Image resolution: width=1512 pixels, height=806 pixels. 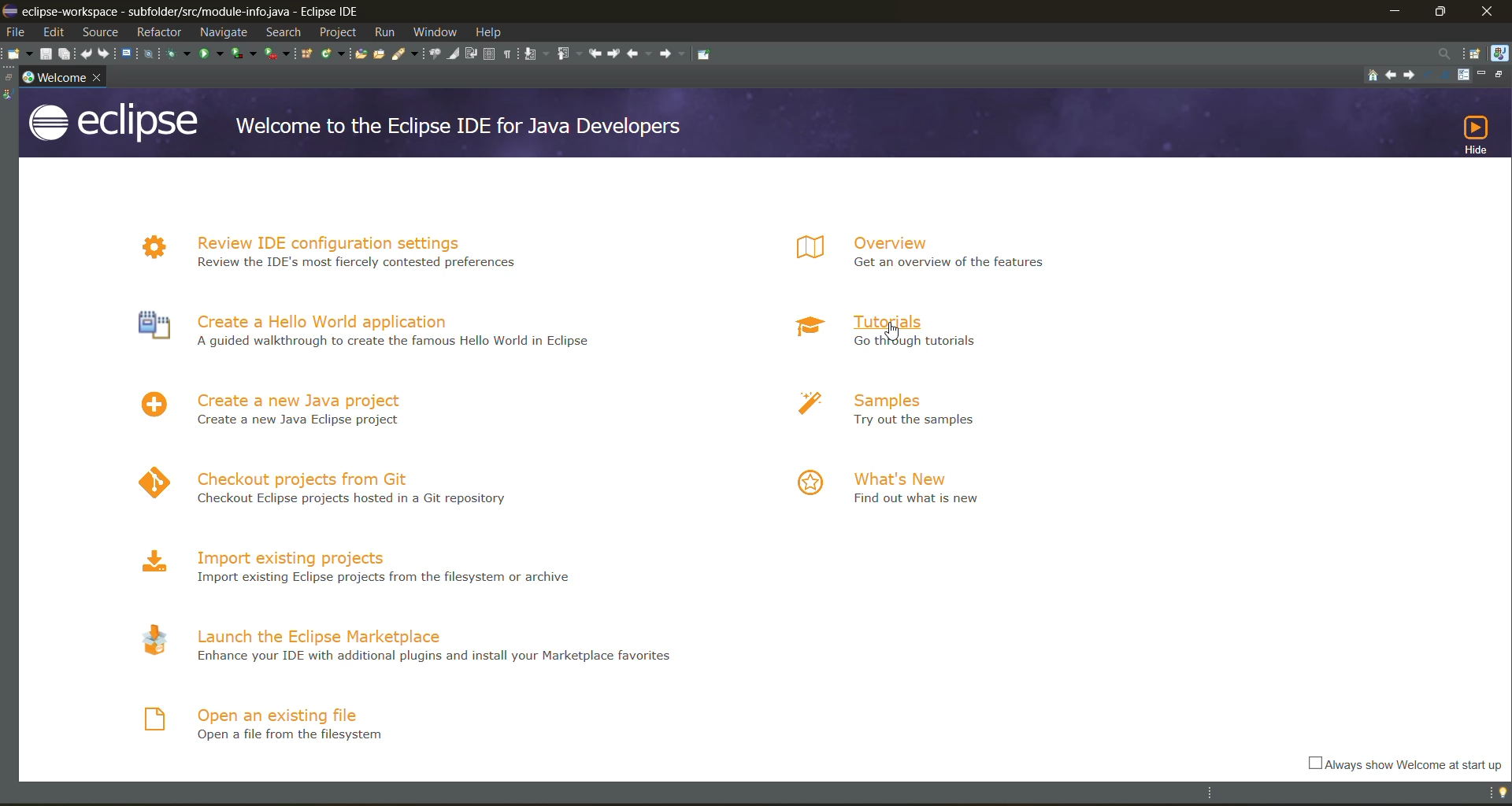 What do you see at coordinates (18, 57) in the screenshot?
I see `new` at bounding box center [18, 57].